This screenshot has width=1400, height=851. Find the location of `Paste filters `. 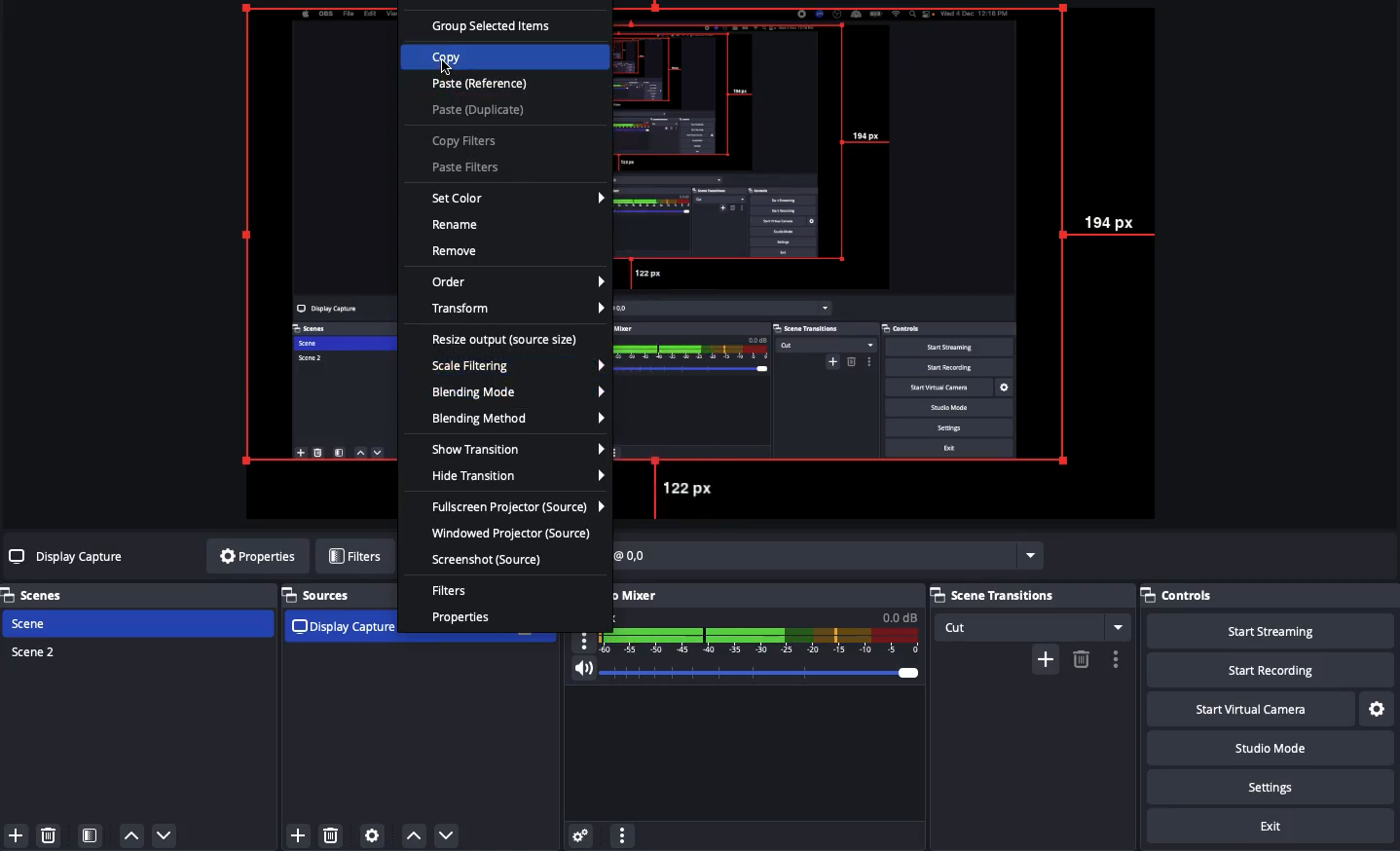

Paste filters  is located at coordinates (473, 168).